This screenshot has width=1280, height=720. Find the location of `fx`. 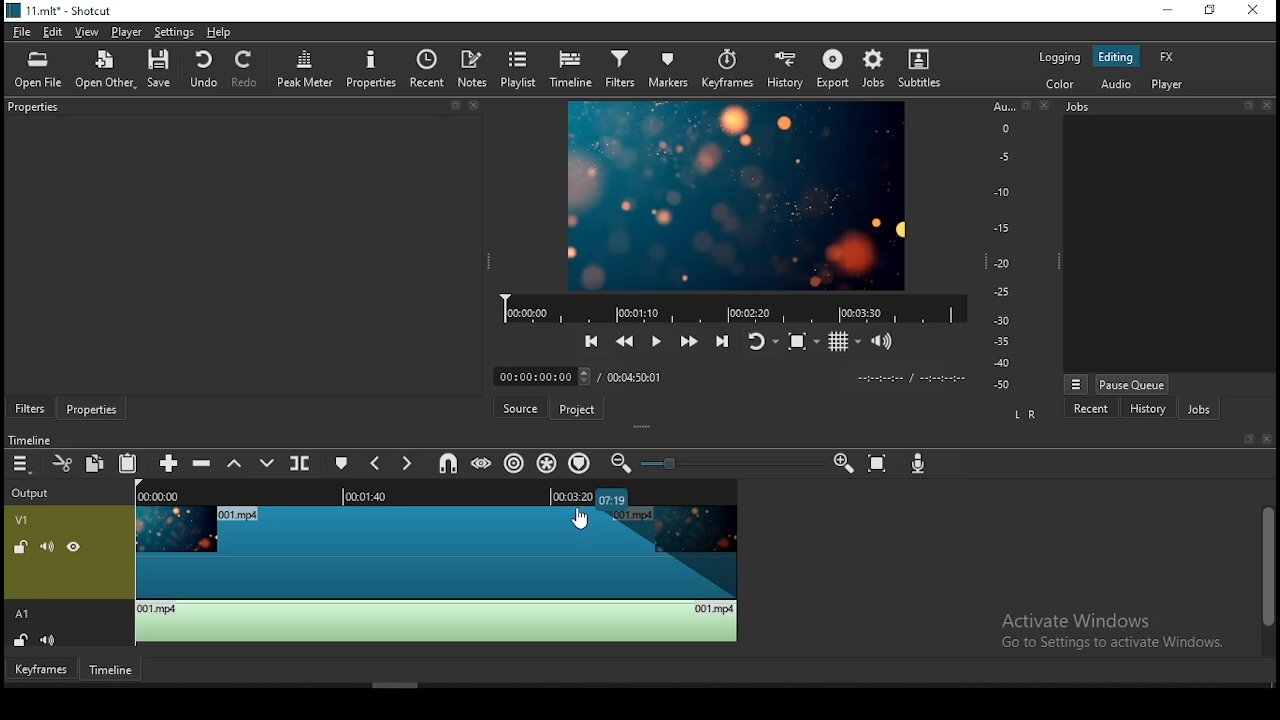

fx is located at coordinates (1166, 56).